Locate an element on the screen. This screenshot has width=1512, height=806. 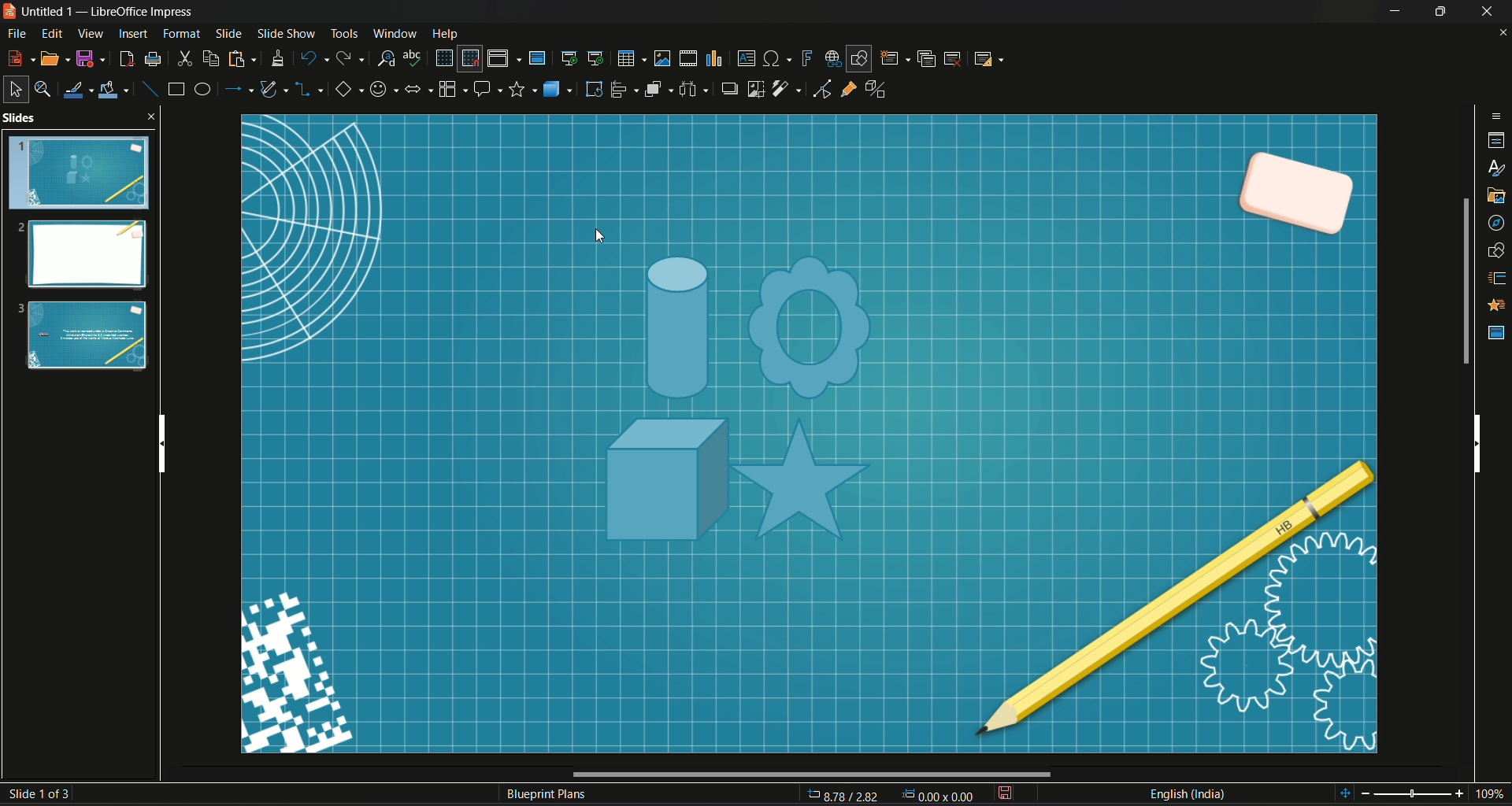
gallery is located at coordinates (1497, 196).